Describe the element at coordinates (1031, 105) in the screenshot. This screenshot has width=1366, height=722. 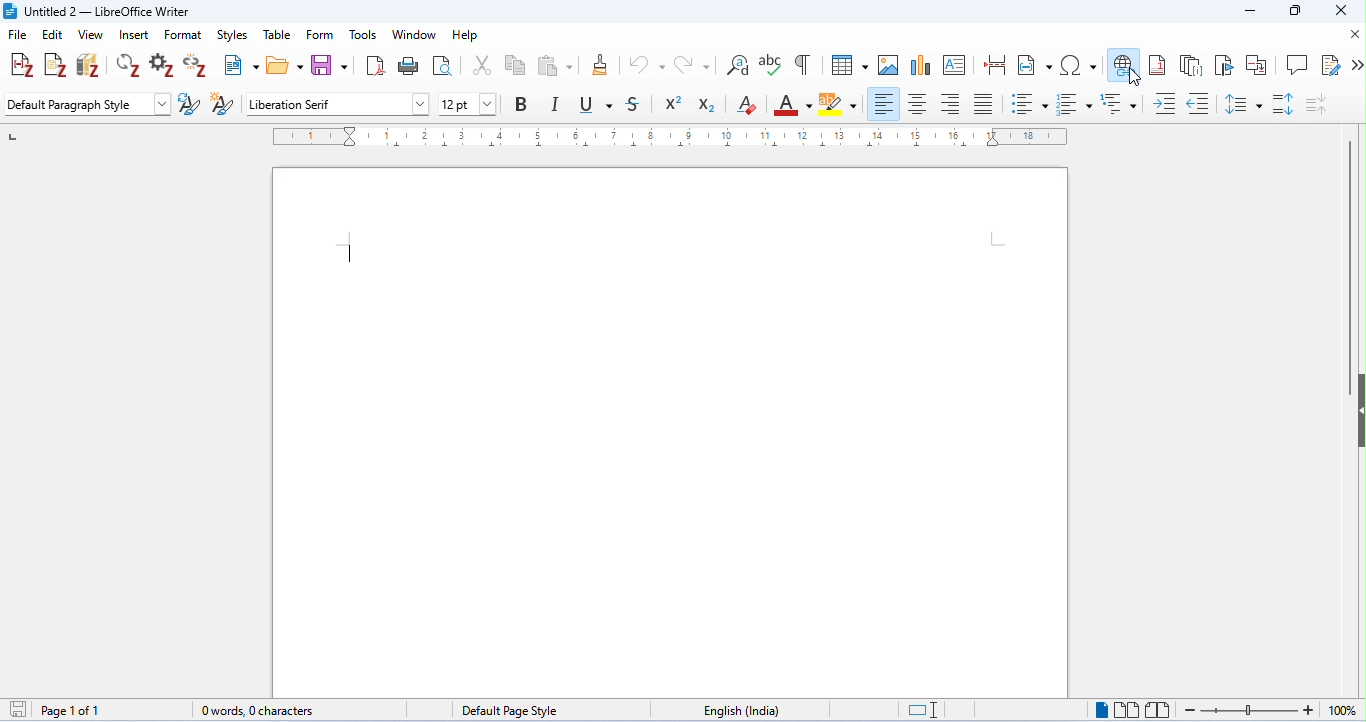
I see `bulleted style` at that location.